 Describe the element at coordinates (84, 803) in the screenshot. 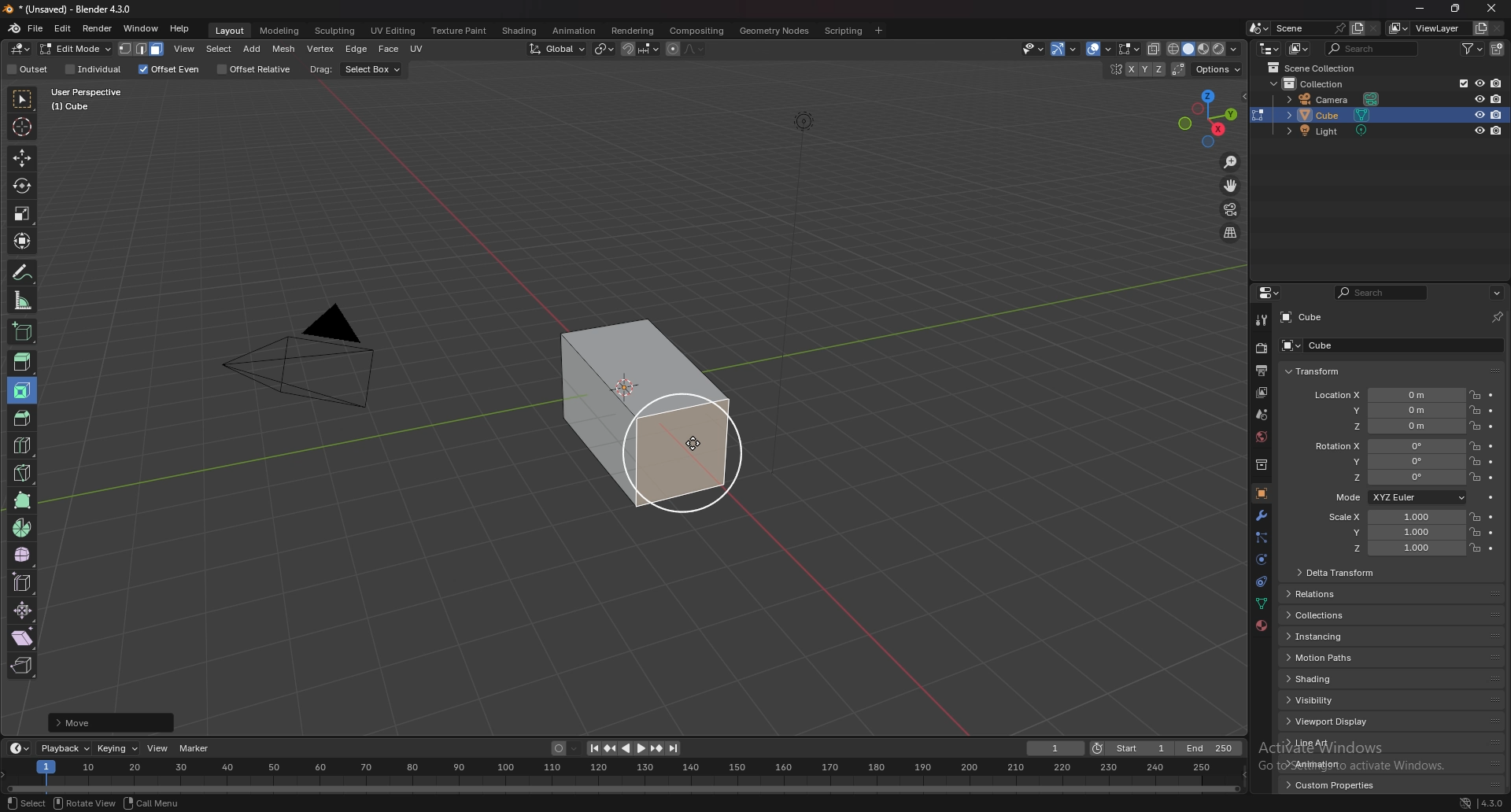

I see `Rotate View` at that location.